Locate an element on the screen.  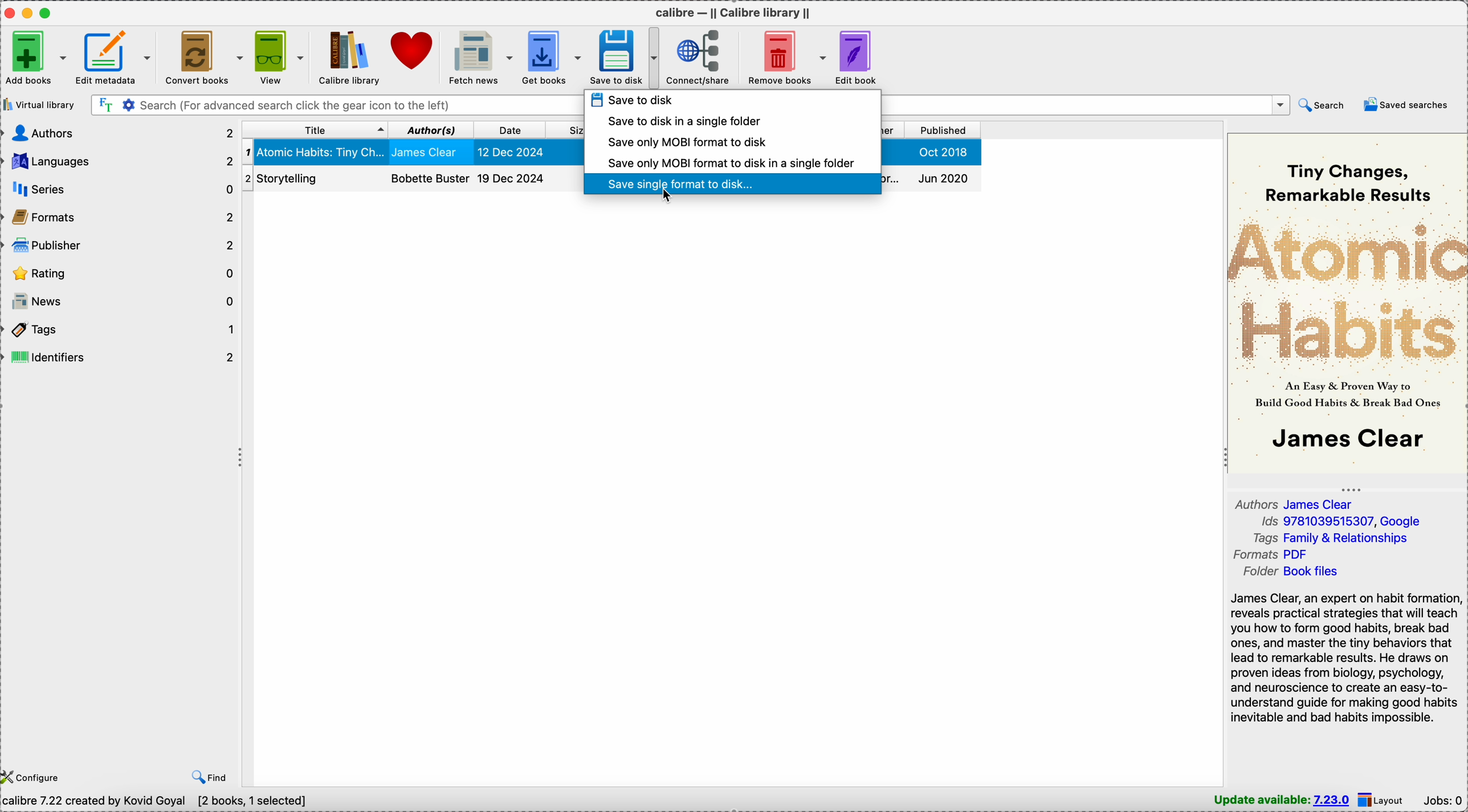
Storytelling book details is located at coordinates (412, 181).